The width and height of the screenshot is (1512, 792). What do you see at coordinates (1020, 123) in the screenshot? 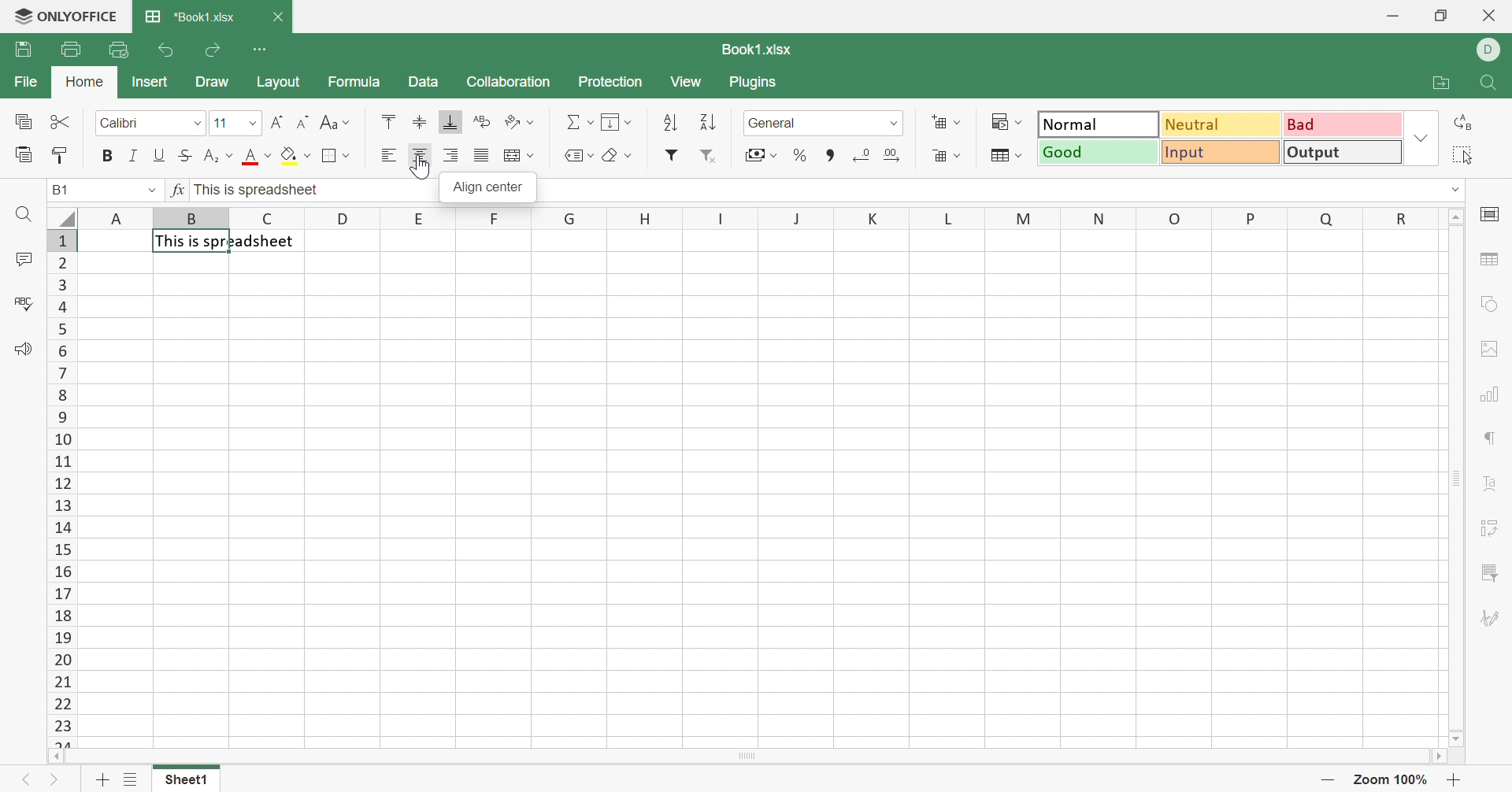
I see `Drop Down` at bounding box center [1020, 123].